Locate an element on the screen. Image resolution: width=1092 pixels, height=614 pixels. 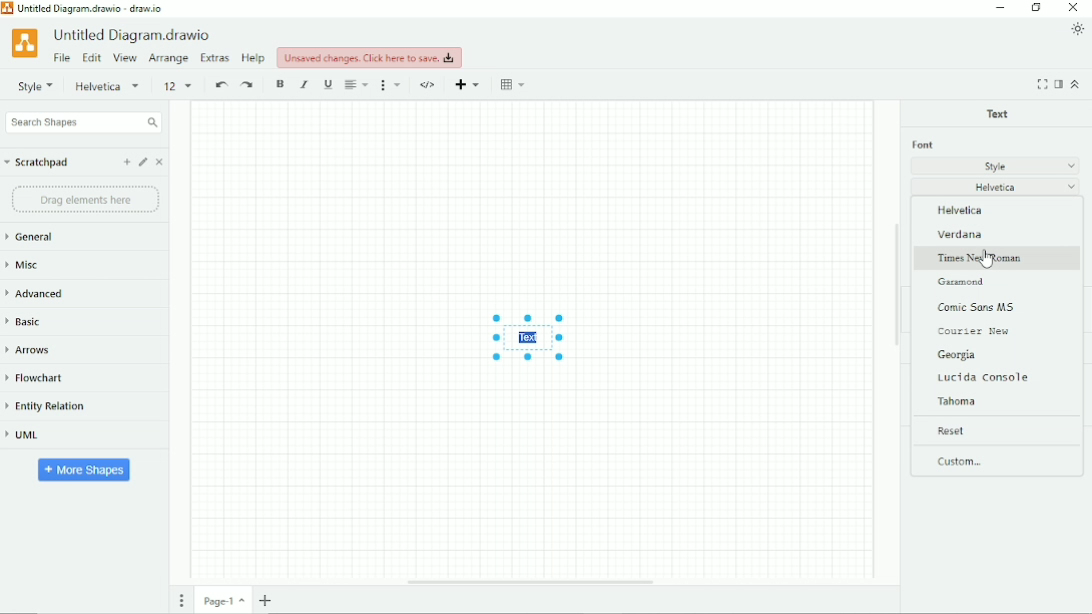
Text is located at coordinates (998, 113).